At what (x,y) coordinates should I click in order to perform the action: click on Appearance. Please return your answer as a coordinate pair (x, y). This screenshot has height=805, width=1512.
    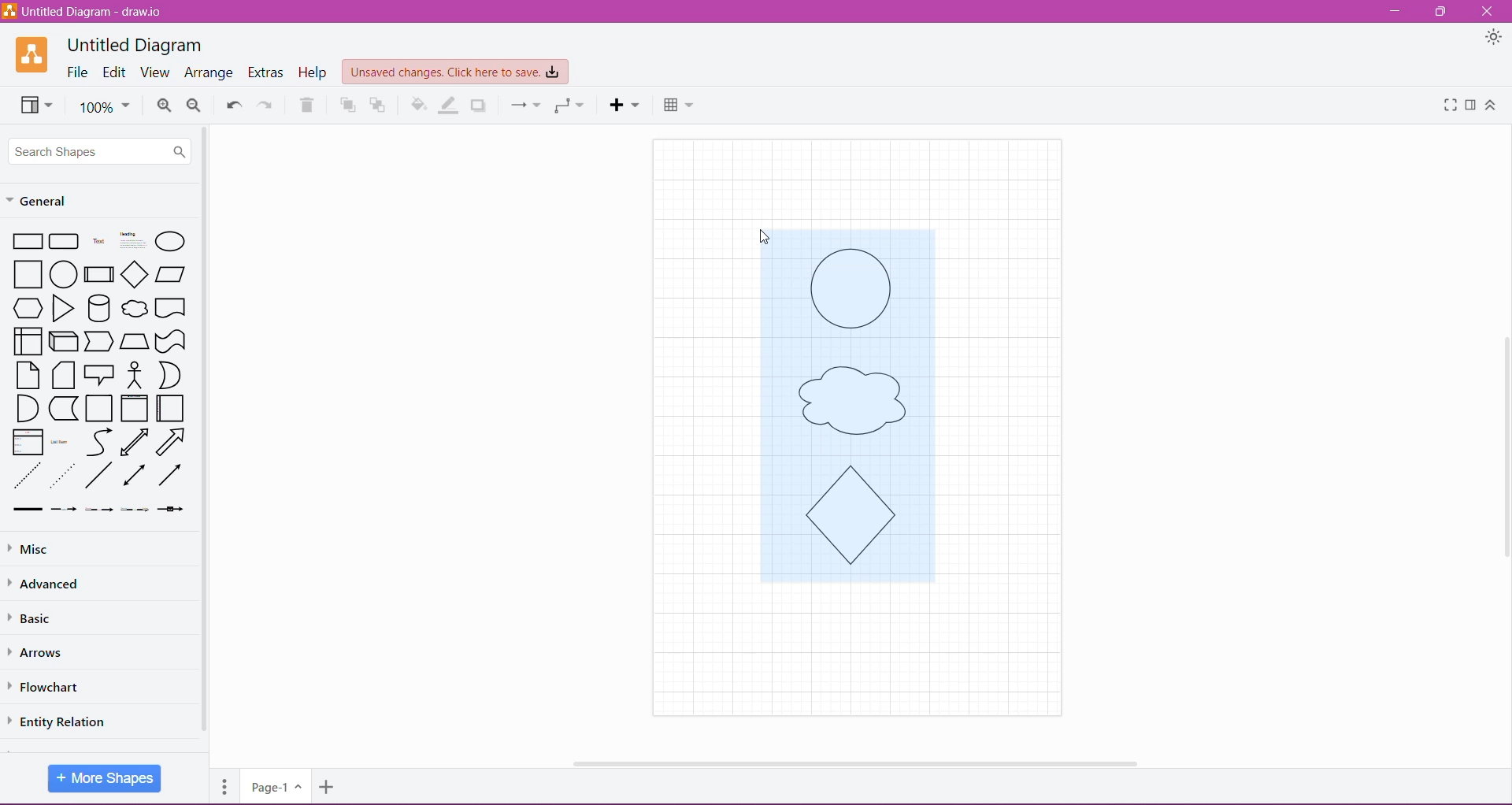
    Looking at the image, I should click on (1494, 39).